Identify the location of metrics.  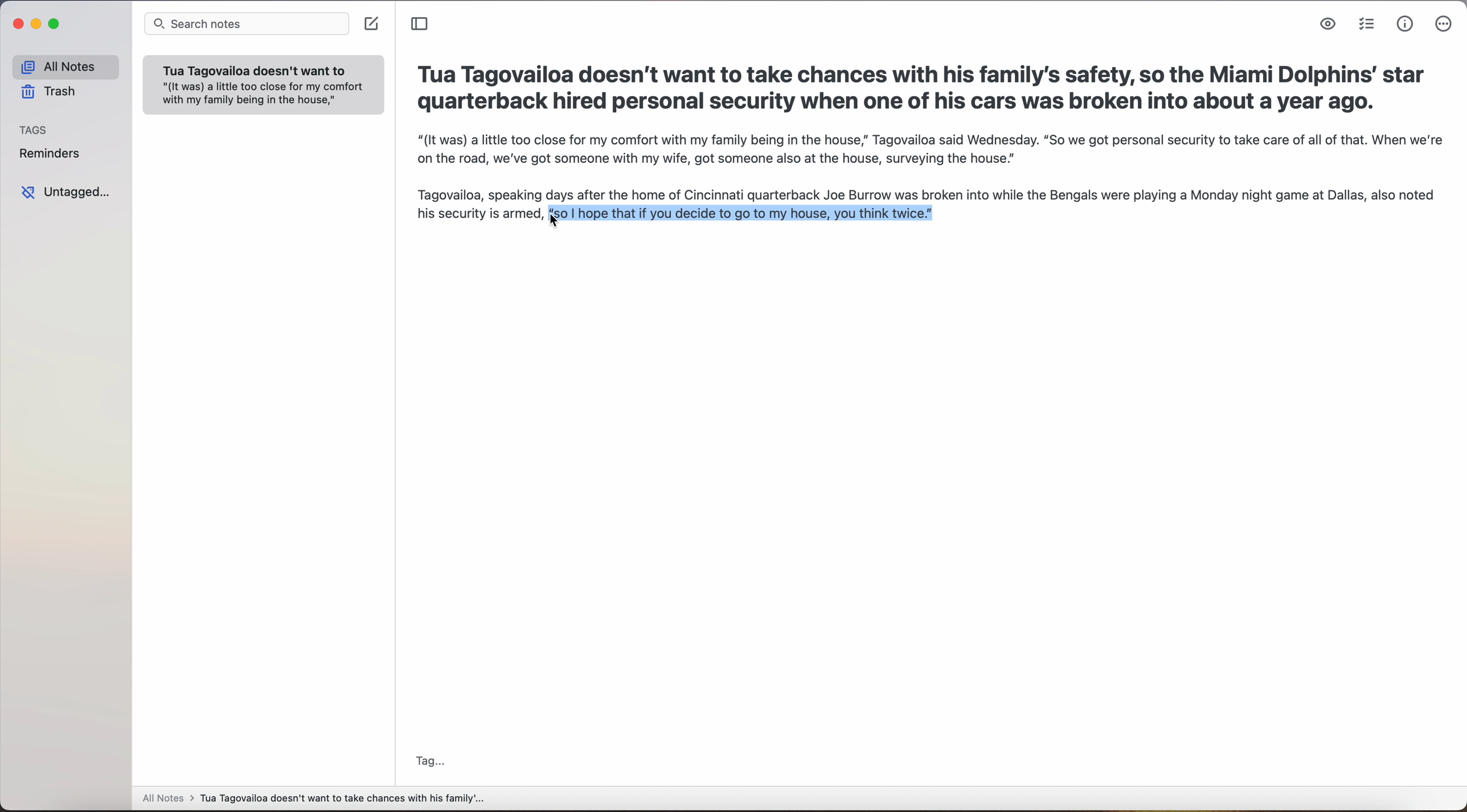
(1404, 24).